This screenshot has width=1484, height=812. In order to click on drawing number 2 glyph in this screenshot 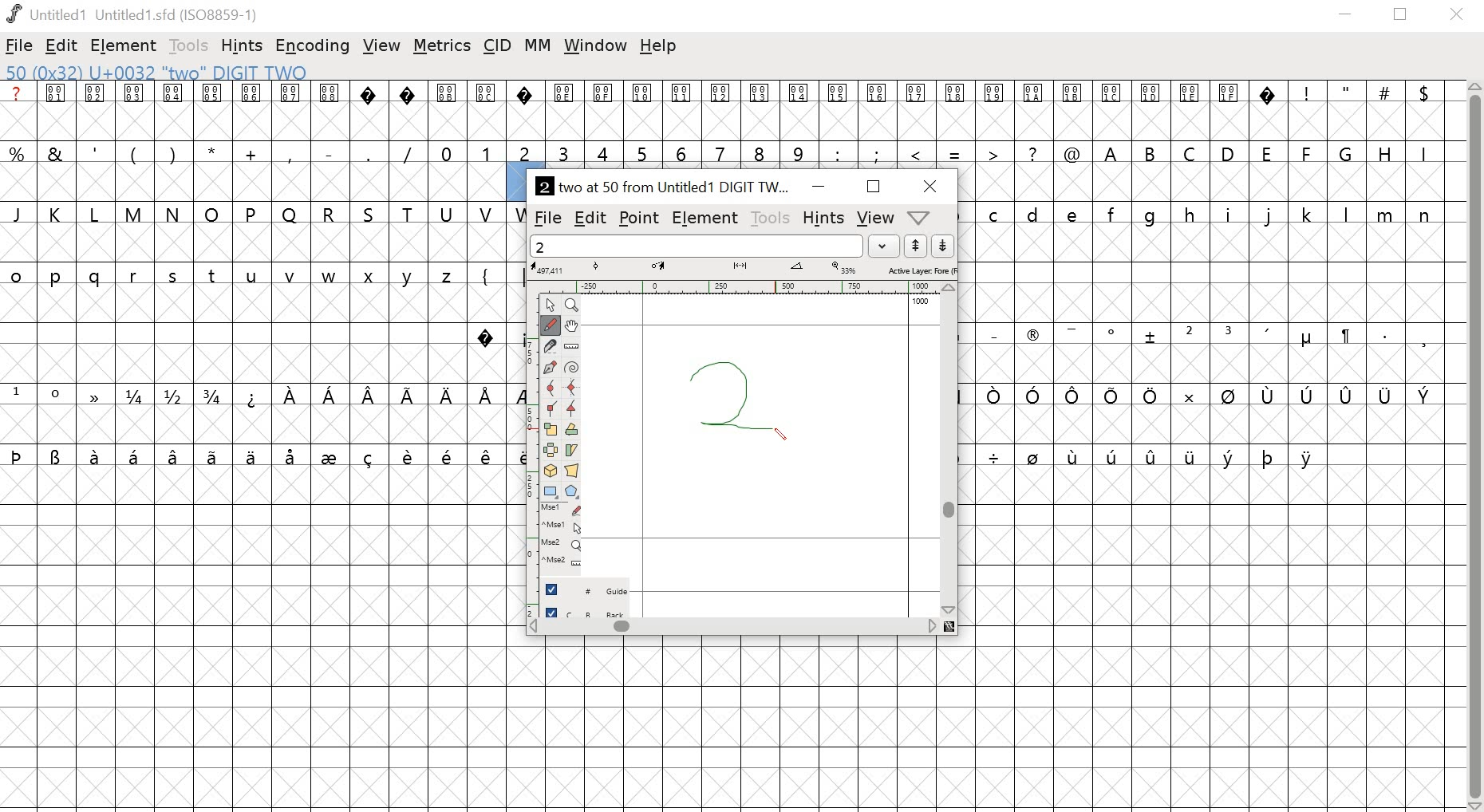, I will do `click(731, 402)`.